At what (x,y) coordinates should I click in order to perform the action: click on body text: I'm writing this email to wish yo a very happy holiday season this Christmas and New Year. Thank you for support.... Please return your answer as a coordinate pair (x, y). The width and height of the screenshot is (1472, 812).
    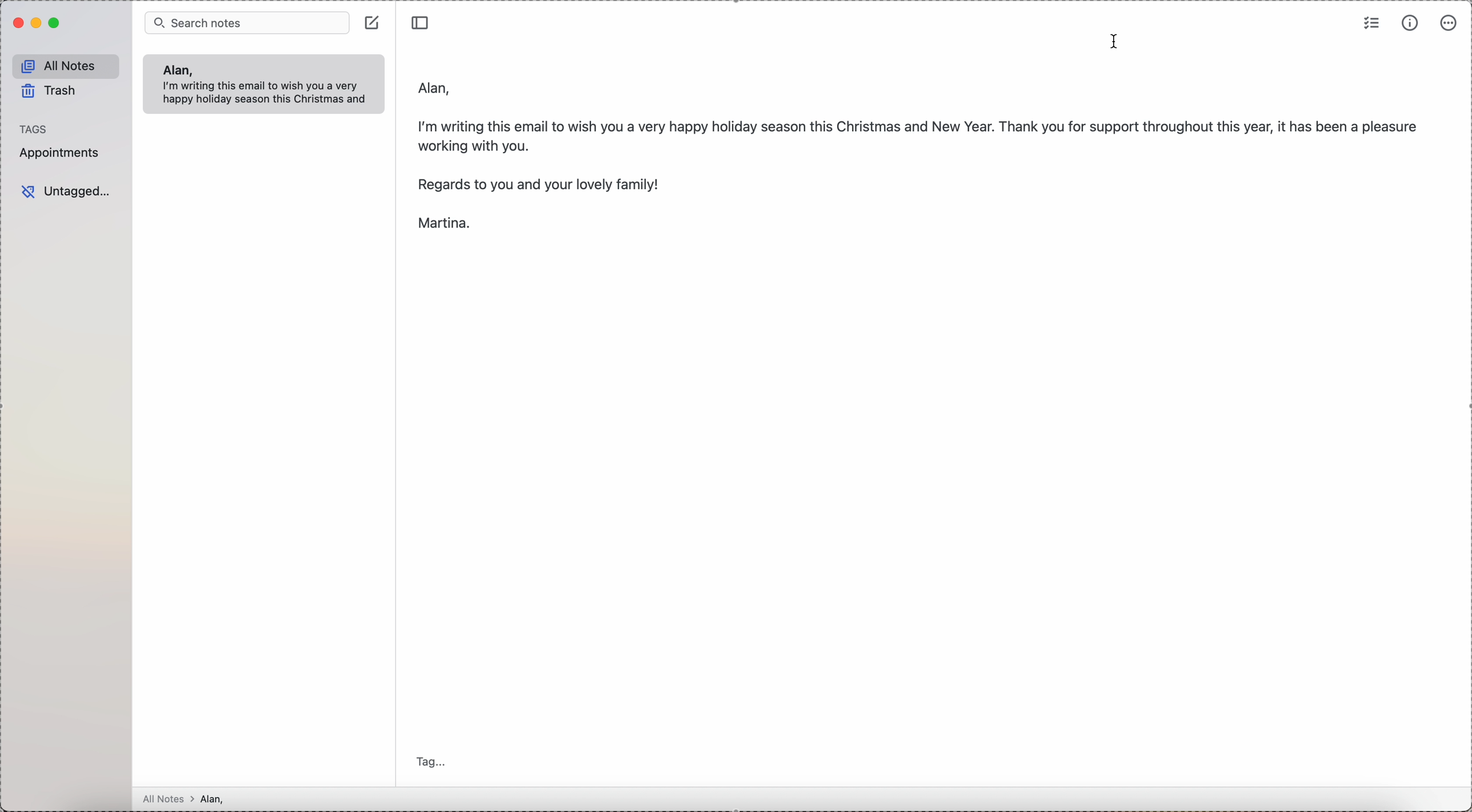
    Looking at the image, I should click on (920, 133).